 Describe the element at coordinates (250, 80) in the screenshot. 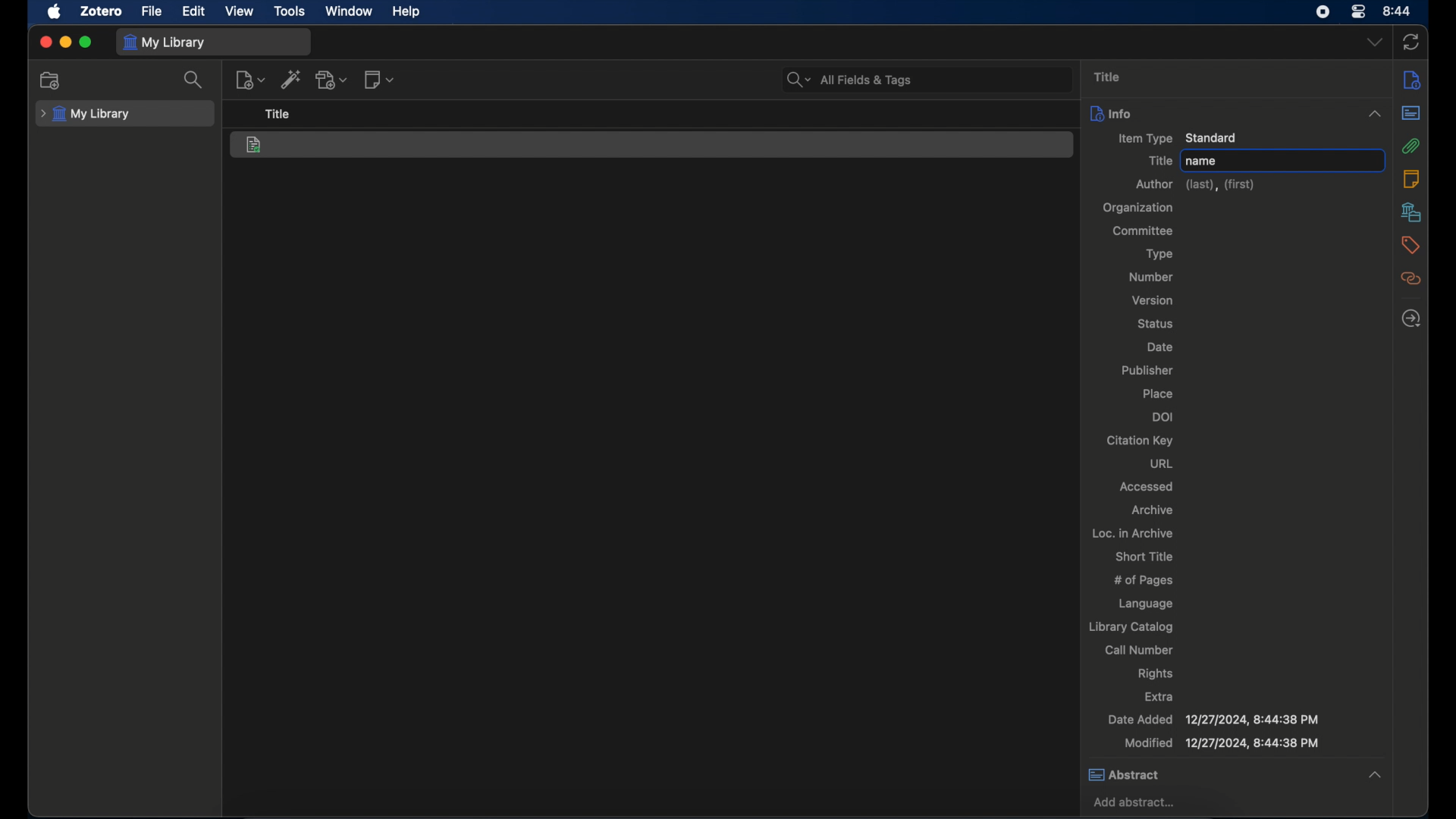

I see `new item` at that location.